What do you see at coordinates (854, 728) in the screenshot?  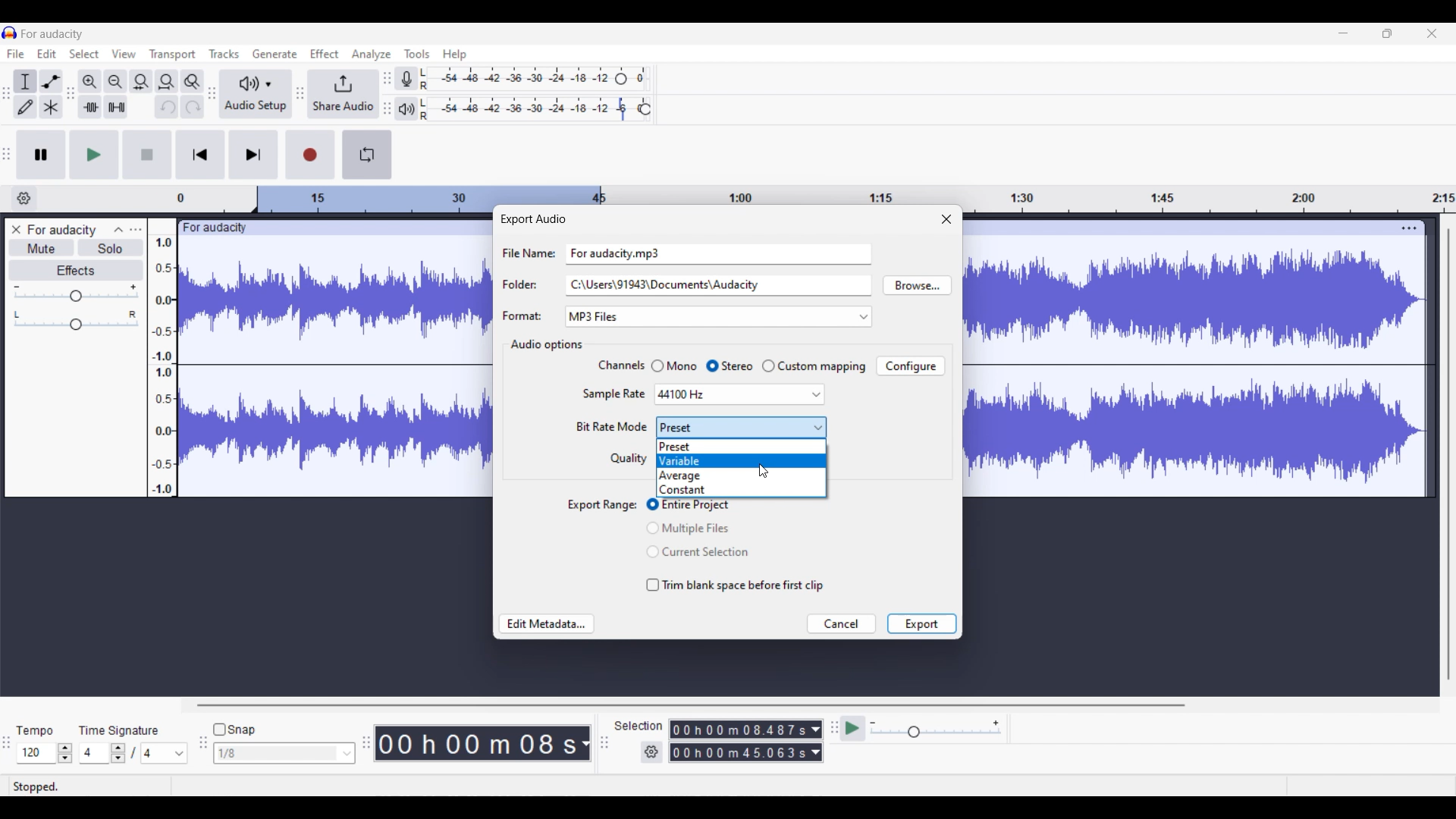 I see `Play at speed/Play at speed once` at bounding box center [854, 728].